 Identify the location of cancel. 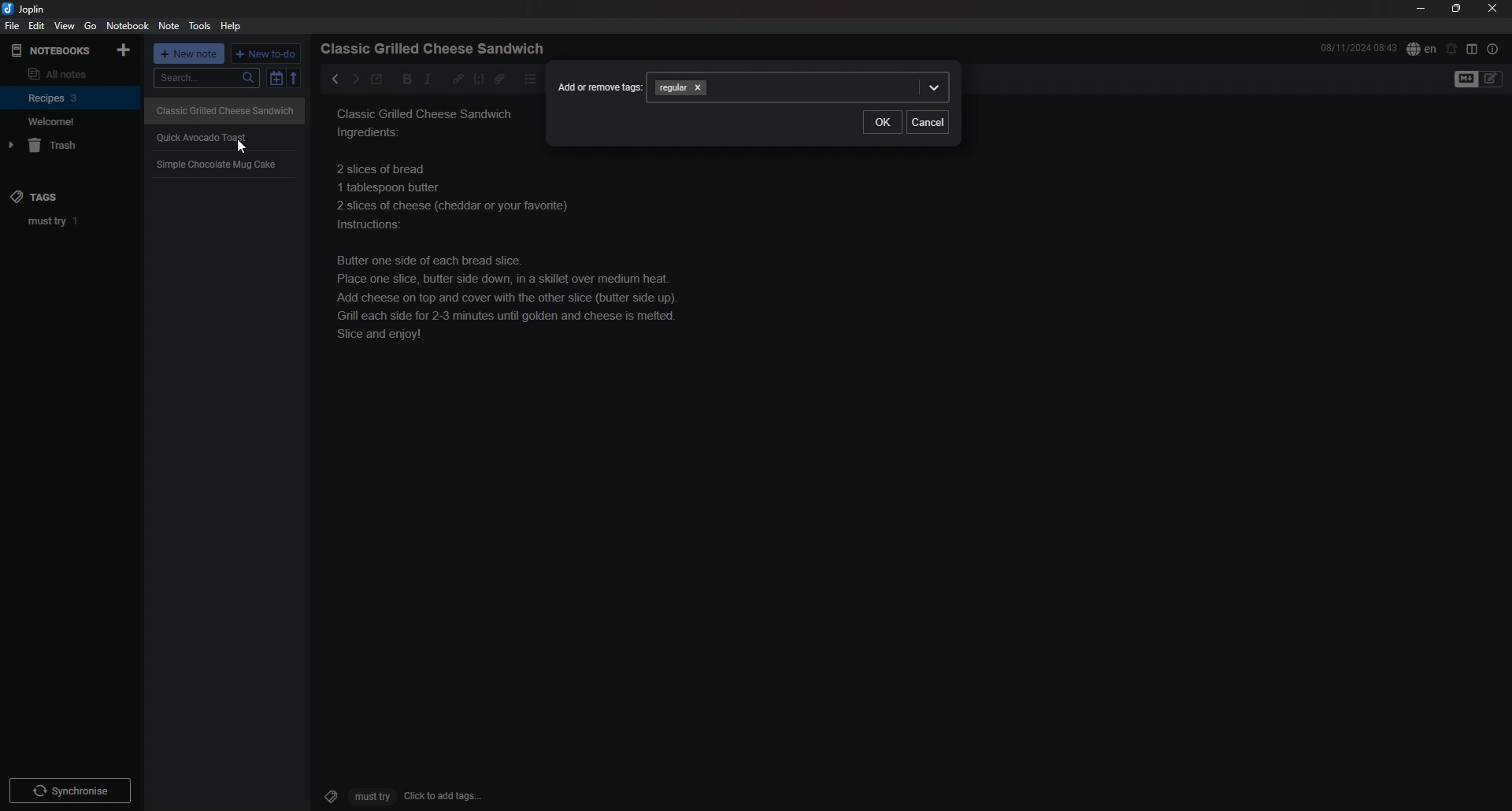
(928, 120).